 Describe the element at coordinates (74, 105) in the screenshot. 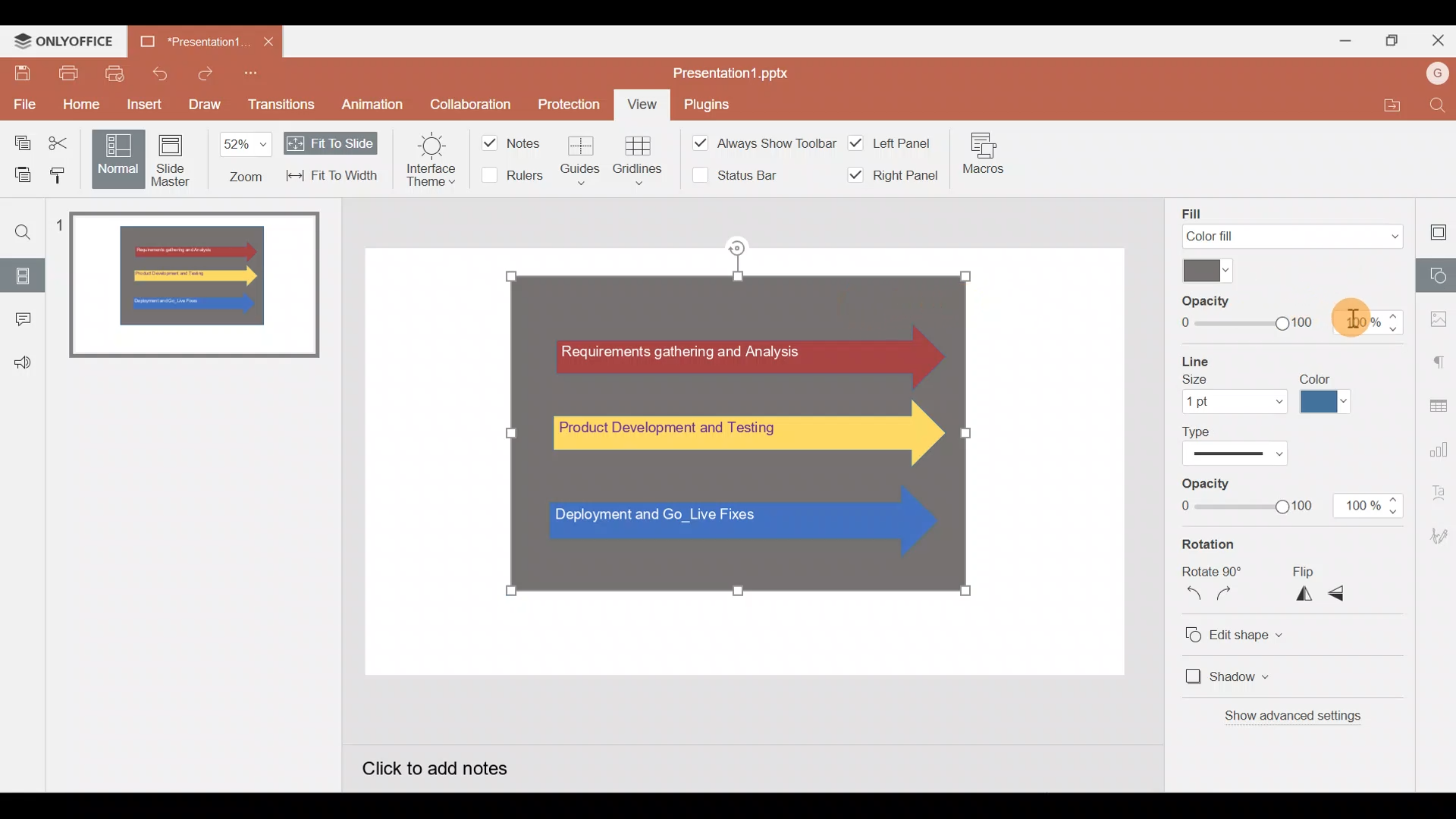

I see `Home` at that location.